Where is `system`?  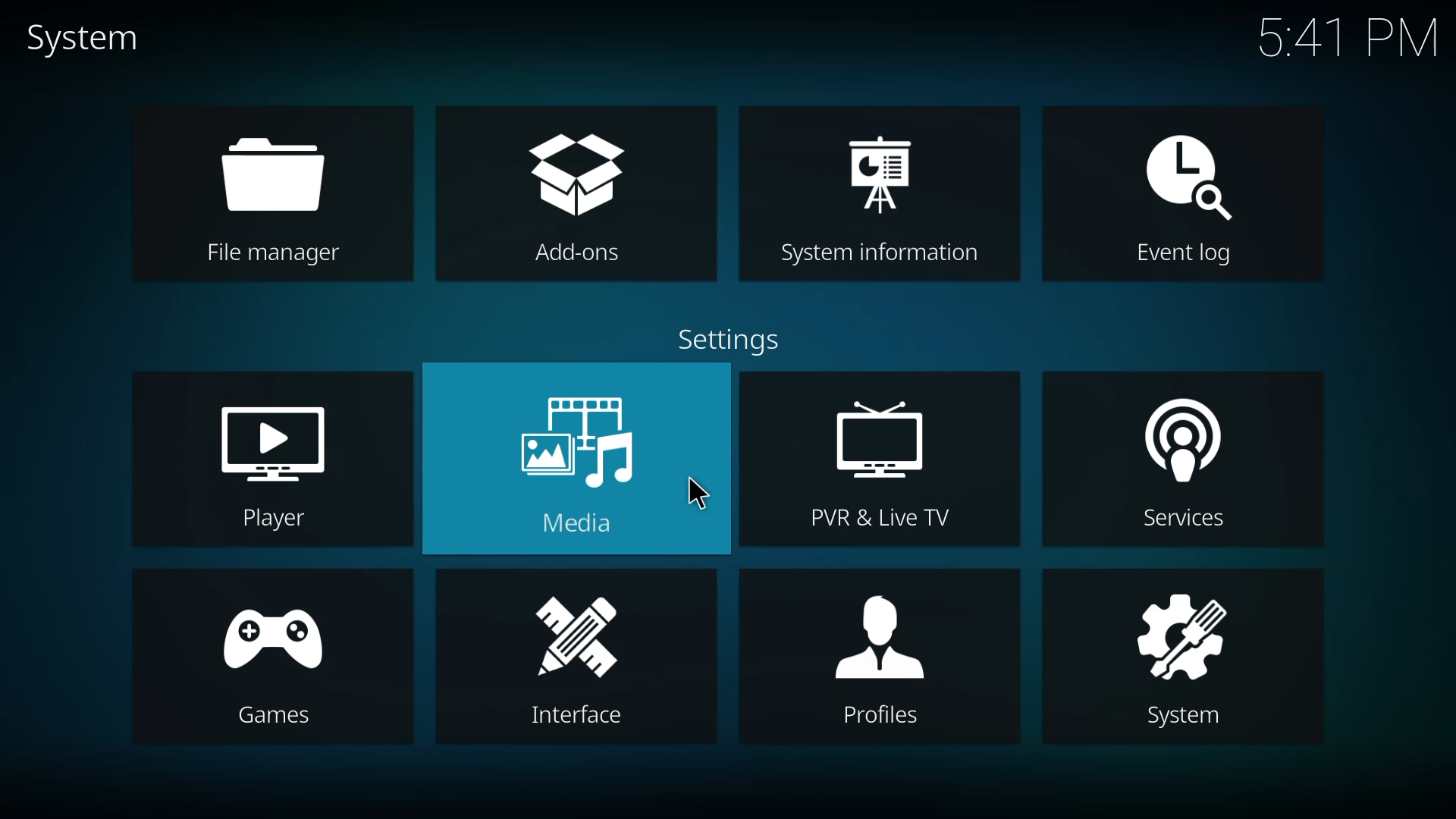 system is located at coordinates (80, 39).